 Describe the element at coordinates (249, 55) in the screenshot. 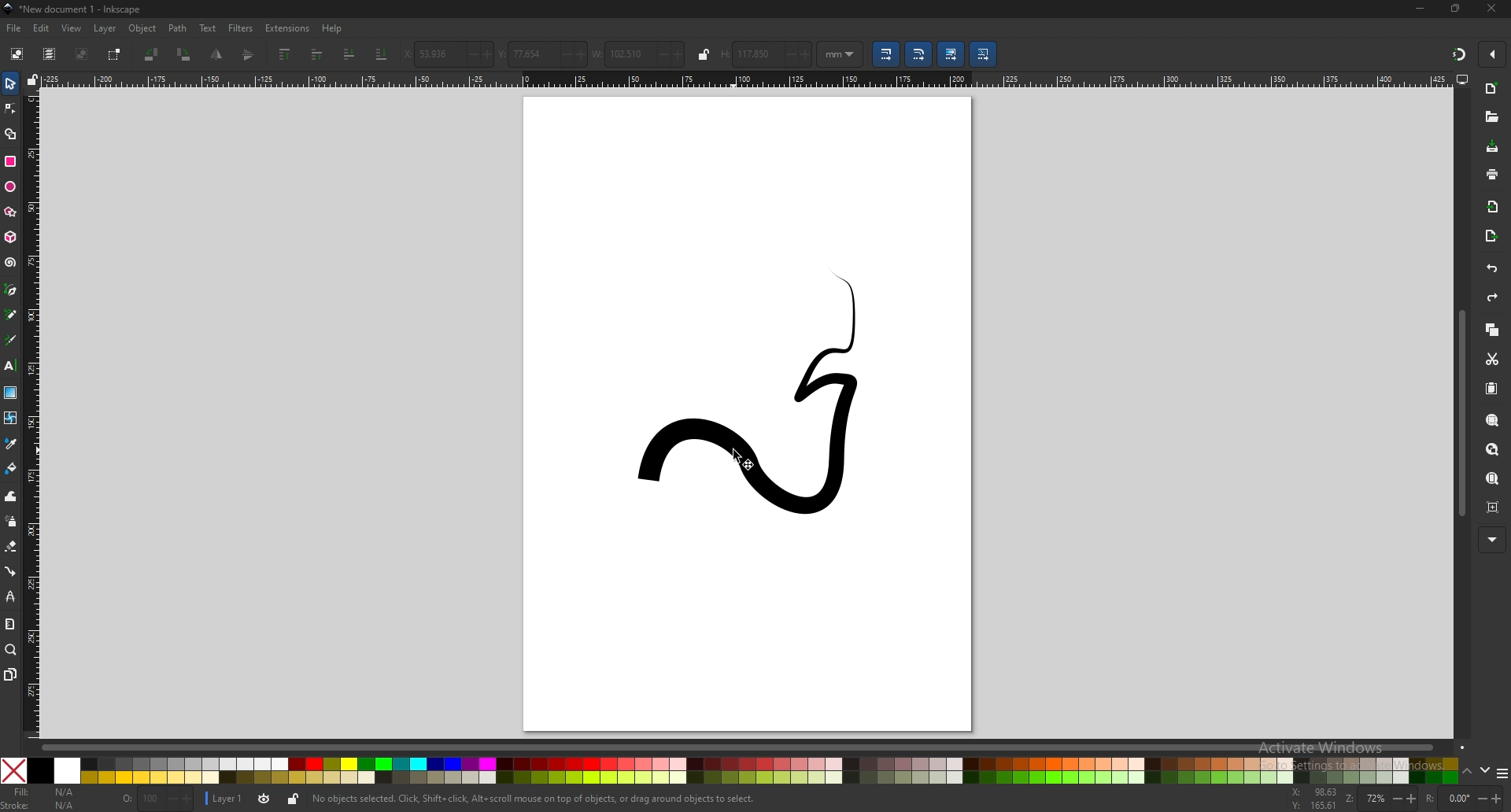

I see `flip horizontally` at that location.